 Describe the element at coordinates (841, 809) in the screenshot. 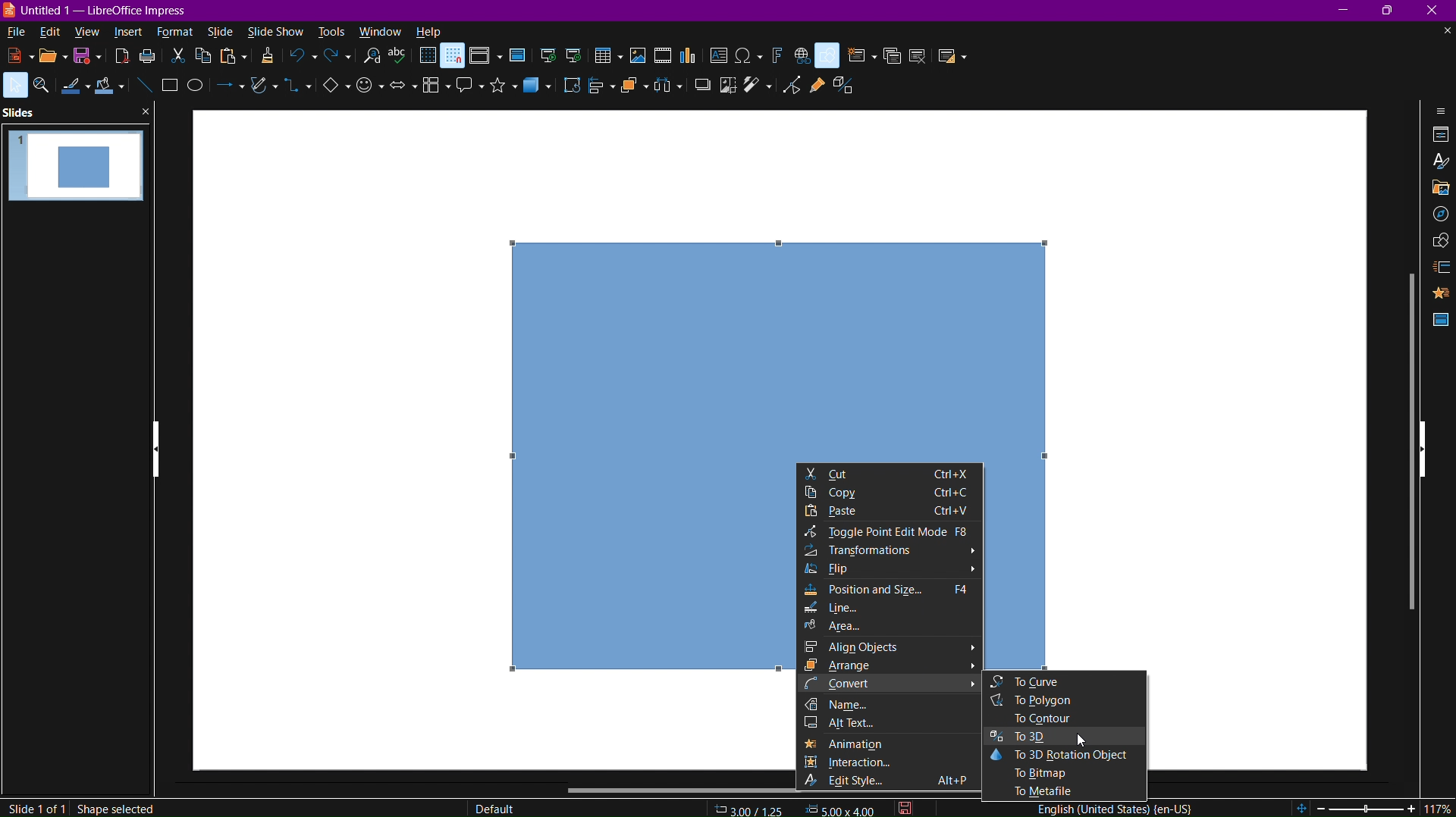

I see `width & height of selected object` at that location.